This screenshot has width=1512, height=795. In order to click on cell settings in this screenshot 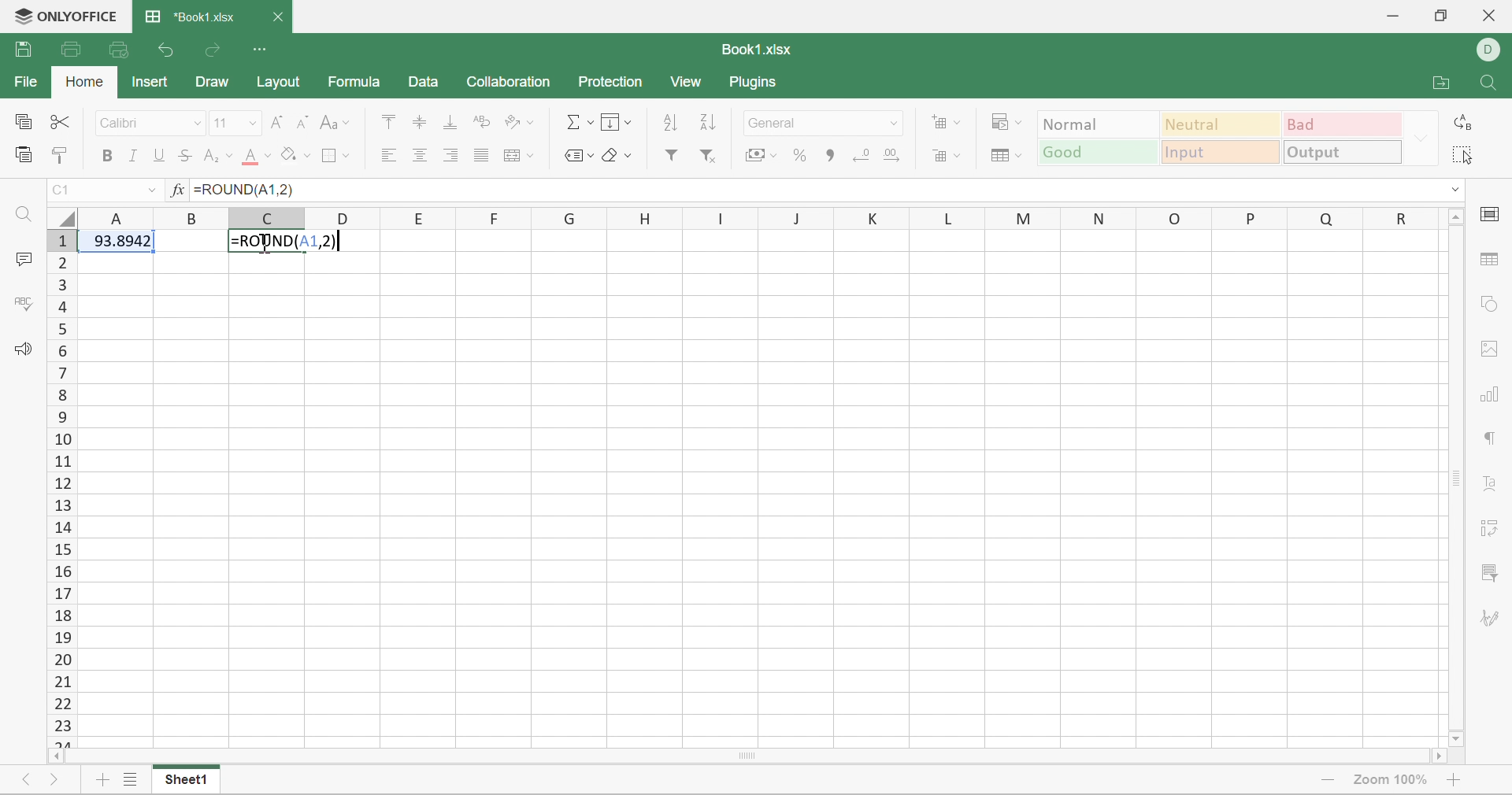, I will do `click(1492, 211)`.